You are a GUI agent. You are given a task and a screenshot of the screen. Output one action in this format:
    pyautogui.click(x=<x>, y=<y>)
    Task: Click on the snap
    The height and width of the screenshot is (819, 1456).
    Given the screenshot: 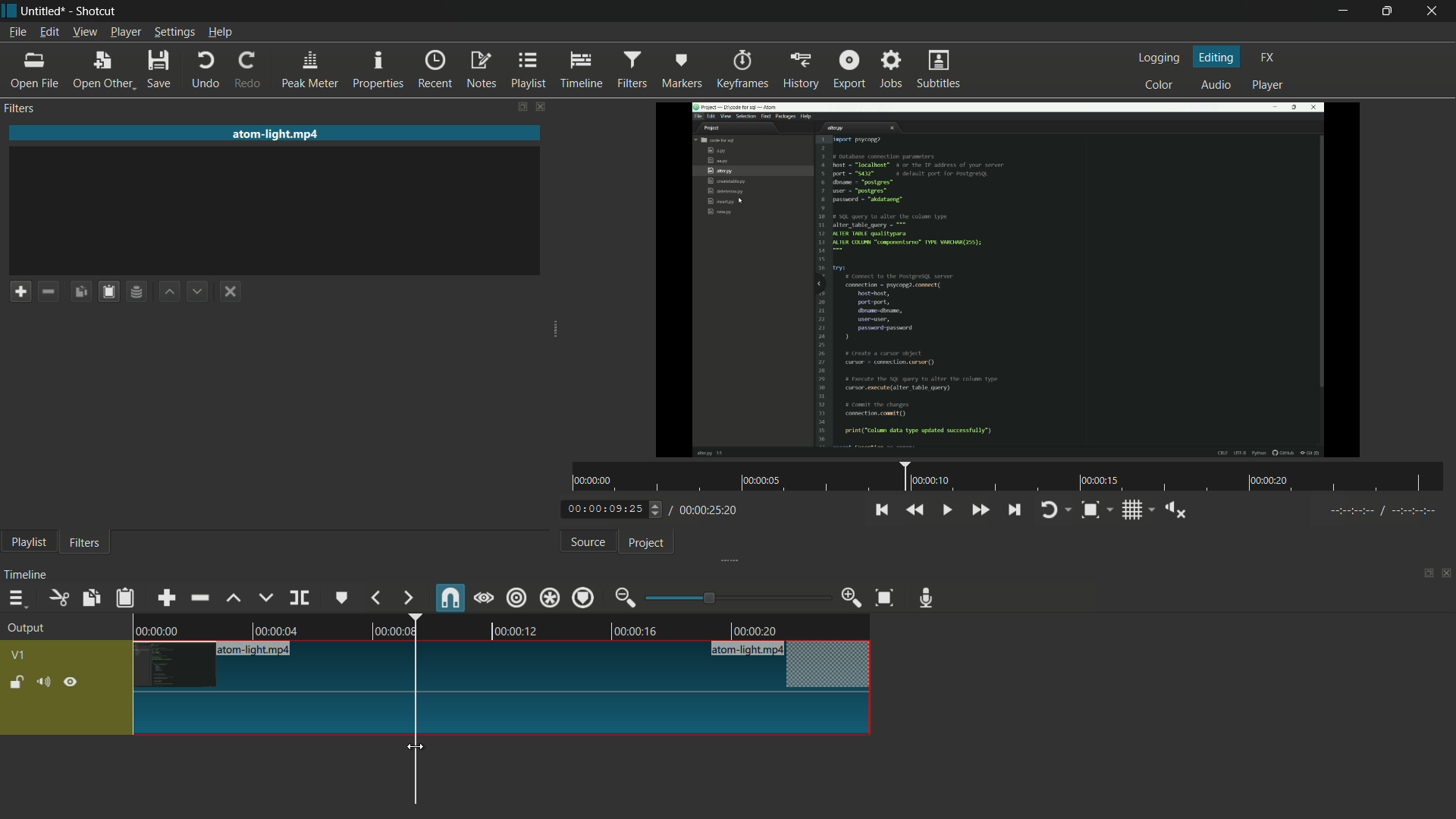 What is the action you would take?
    pyautogui.click(x=448, y=597)
    